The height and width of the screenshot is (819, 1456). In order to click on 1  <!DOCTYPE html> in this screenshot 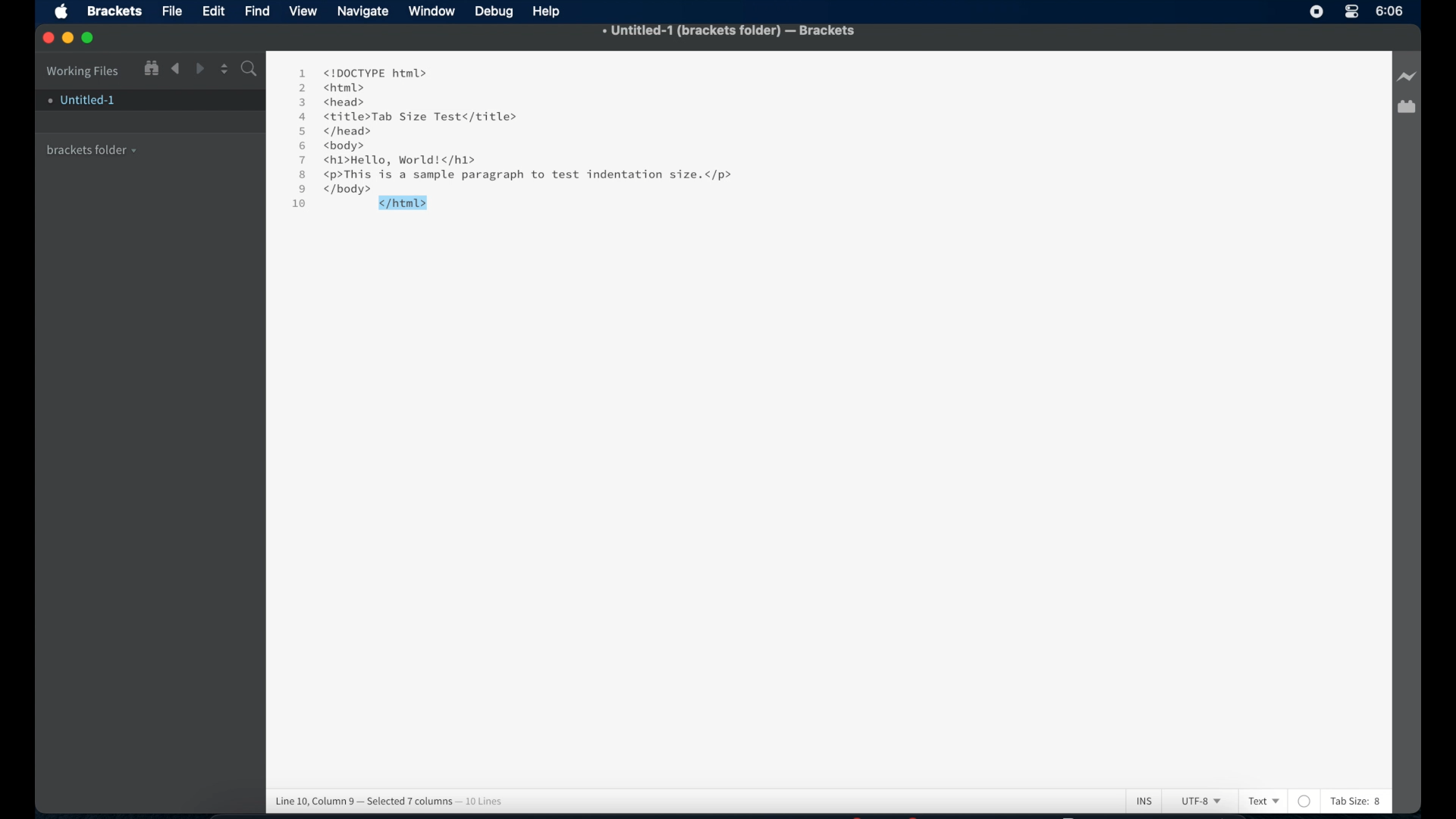, I will do `click(362, 72)`.